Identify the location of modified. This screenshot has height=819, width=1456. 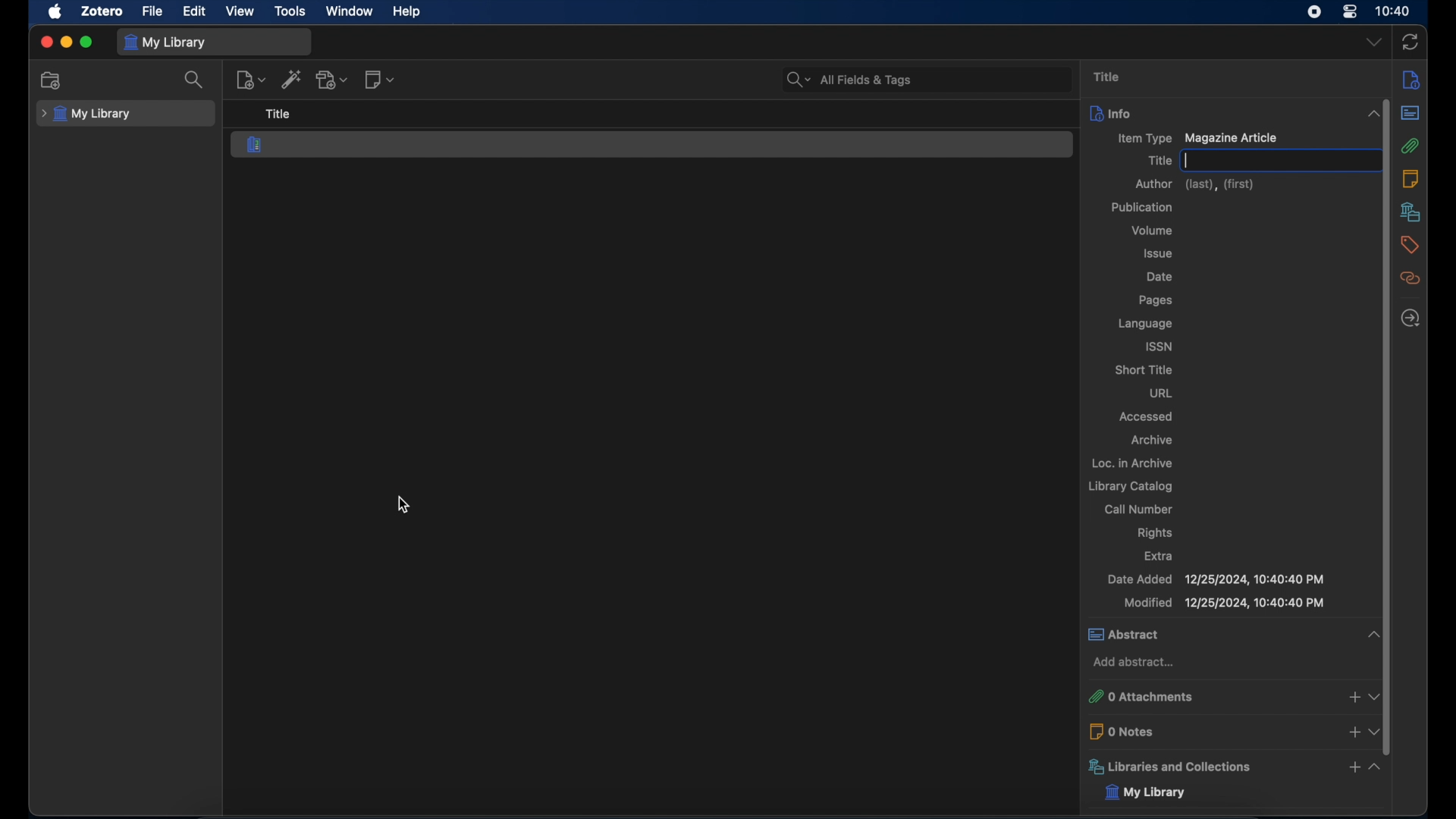
(1224, 603).